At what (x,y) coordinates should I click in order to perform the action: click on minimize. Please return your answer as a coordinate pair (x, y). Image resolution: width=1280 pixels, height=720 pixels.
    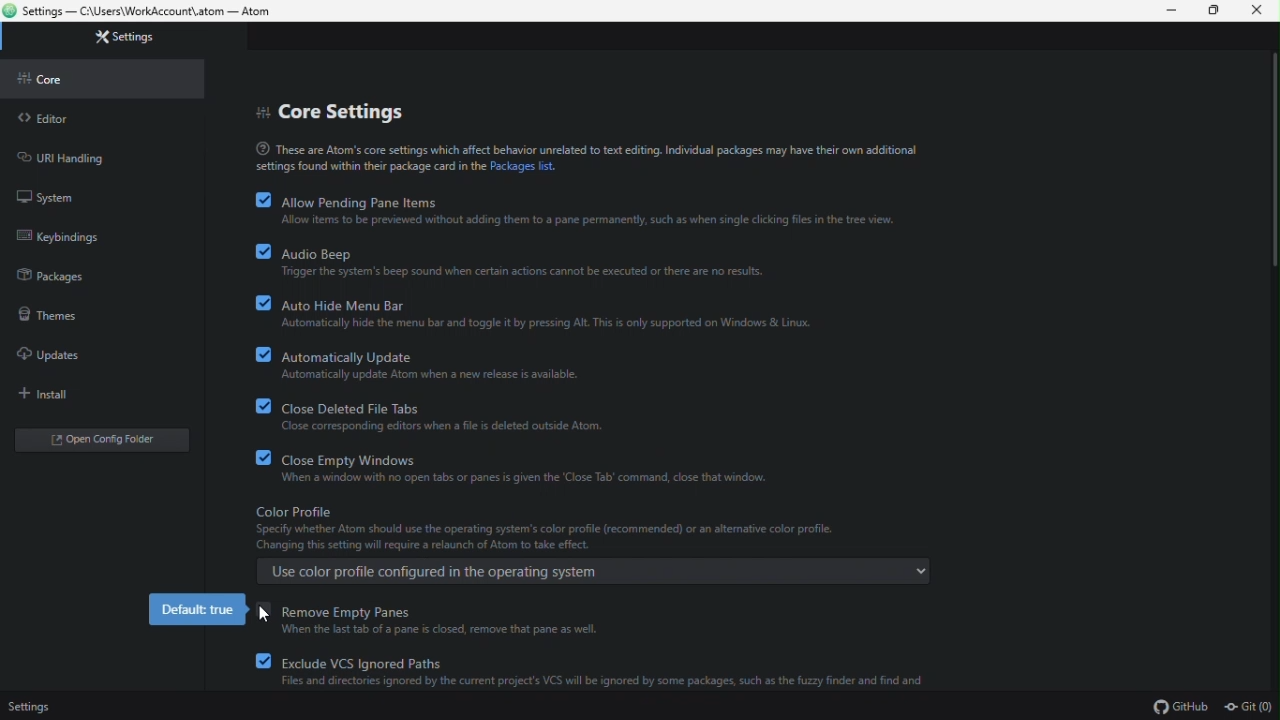
    Looking at the image, I should click on (1173, 11).